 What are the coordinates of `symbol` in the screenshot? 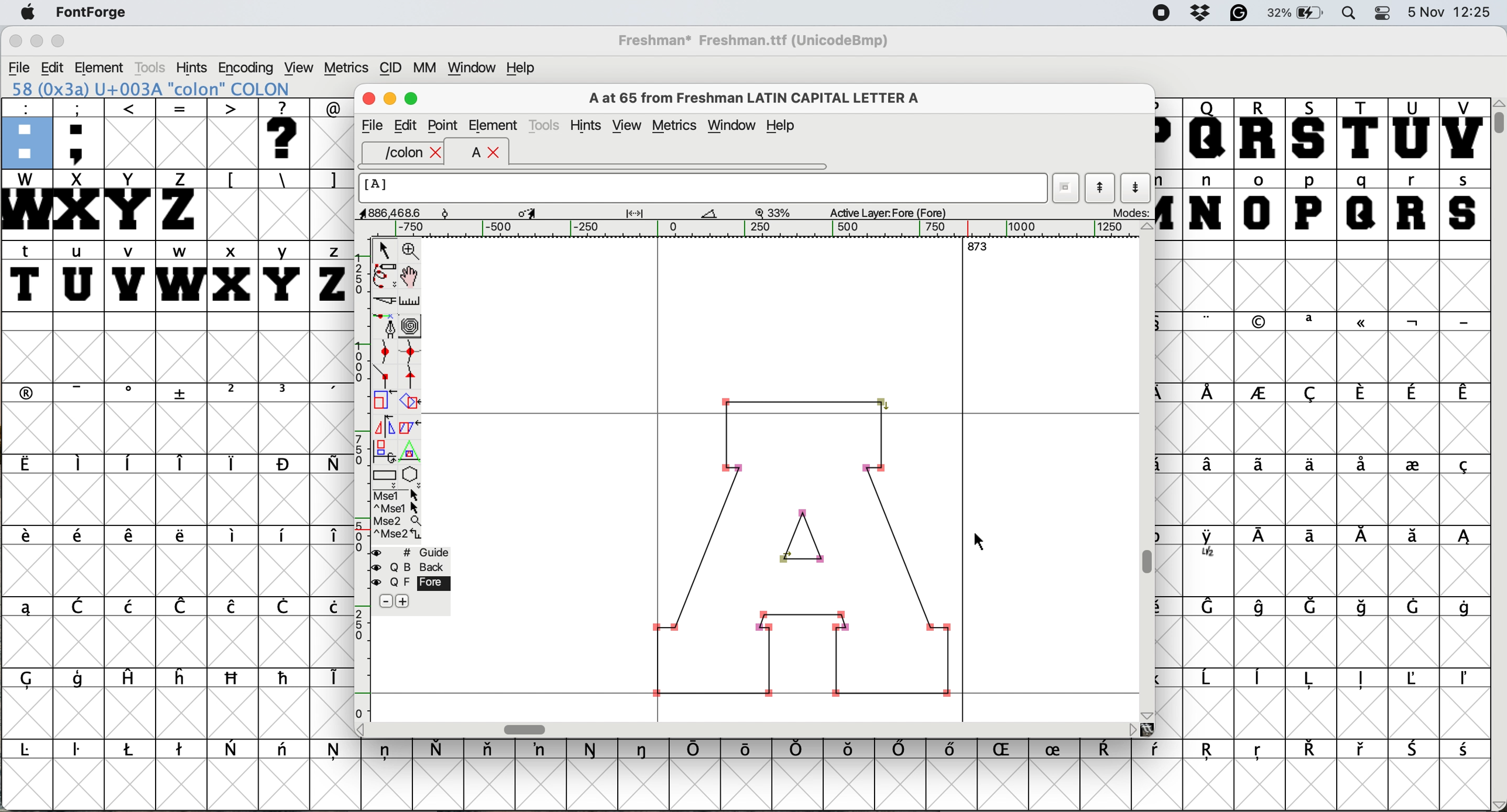 It's located at (543, 749).